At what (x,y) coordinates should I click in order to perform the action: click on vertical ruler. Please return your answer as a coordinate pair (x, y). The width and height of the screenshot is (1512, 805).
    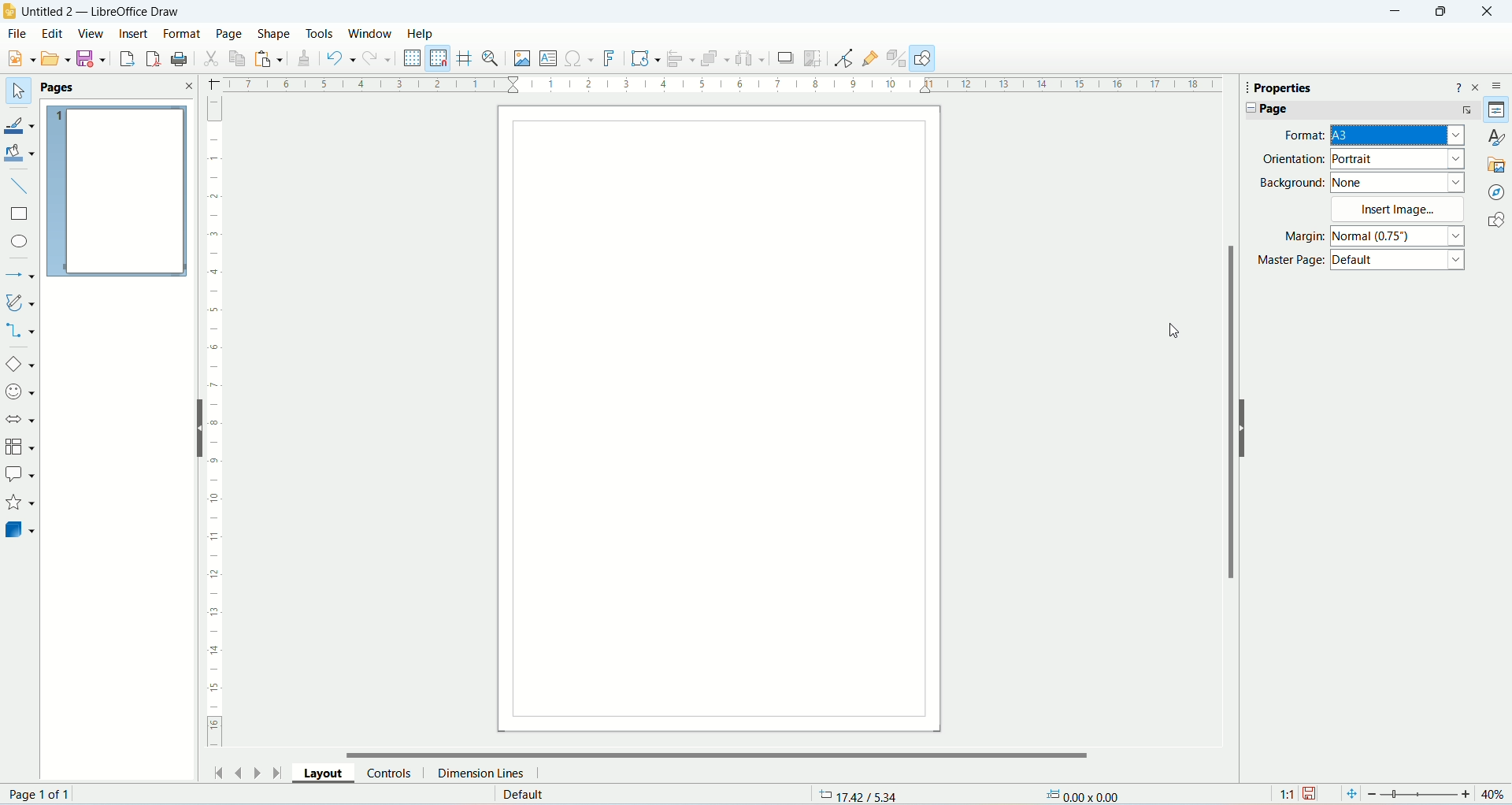
    Looking at the image, I should click on (215, 421).